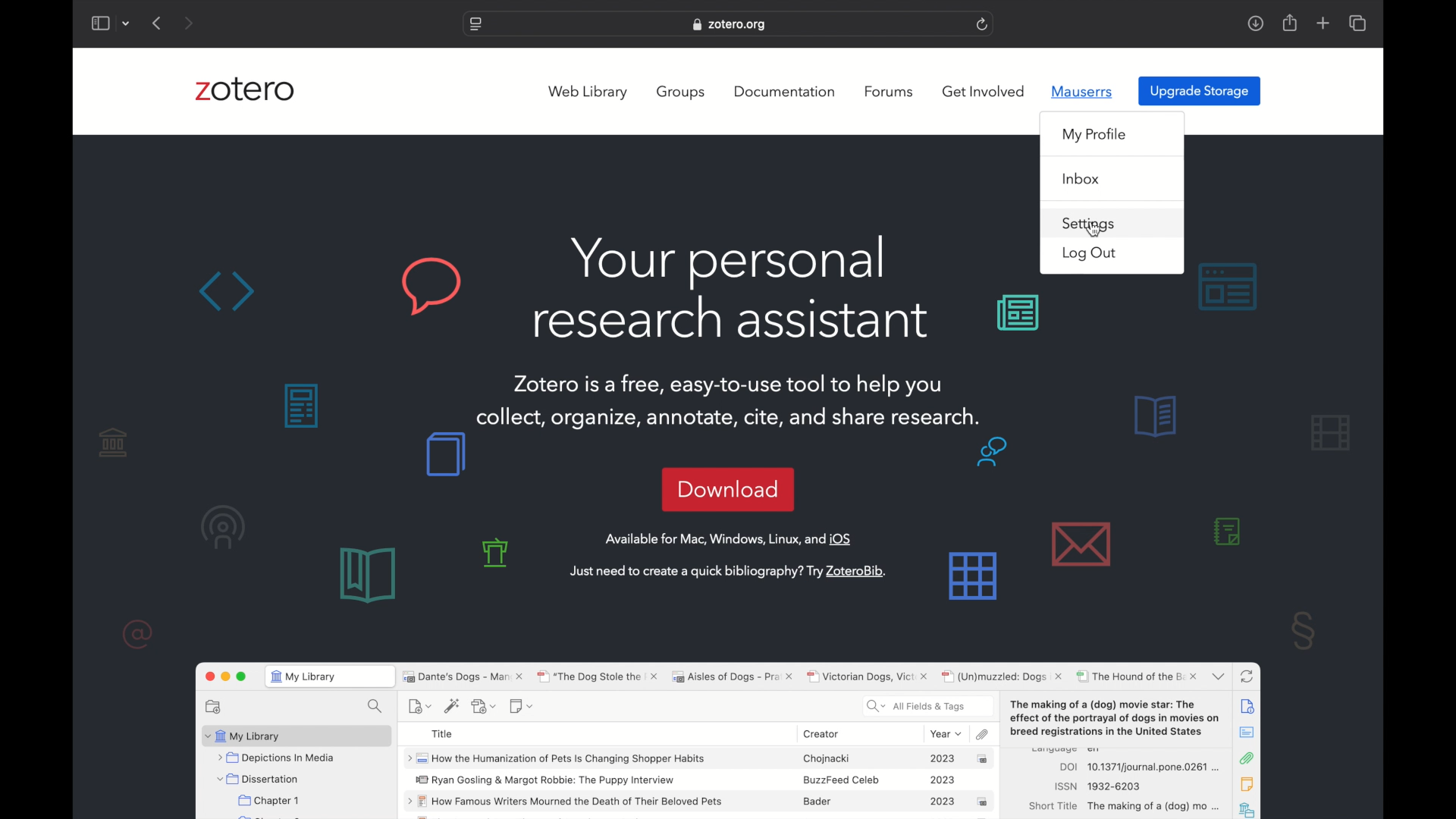 This screenshot has width=1456, height=819. Describe the element at coordinates (1081, 92) in the screenshot. I see `mauserrs` at that location.